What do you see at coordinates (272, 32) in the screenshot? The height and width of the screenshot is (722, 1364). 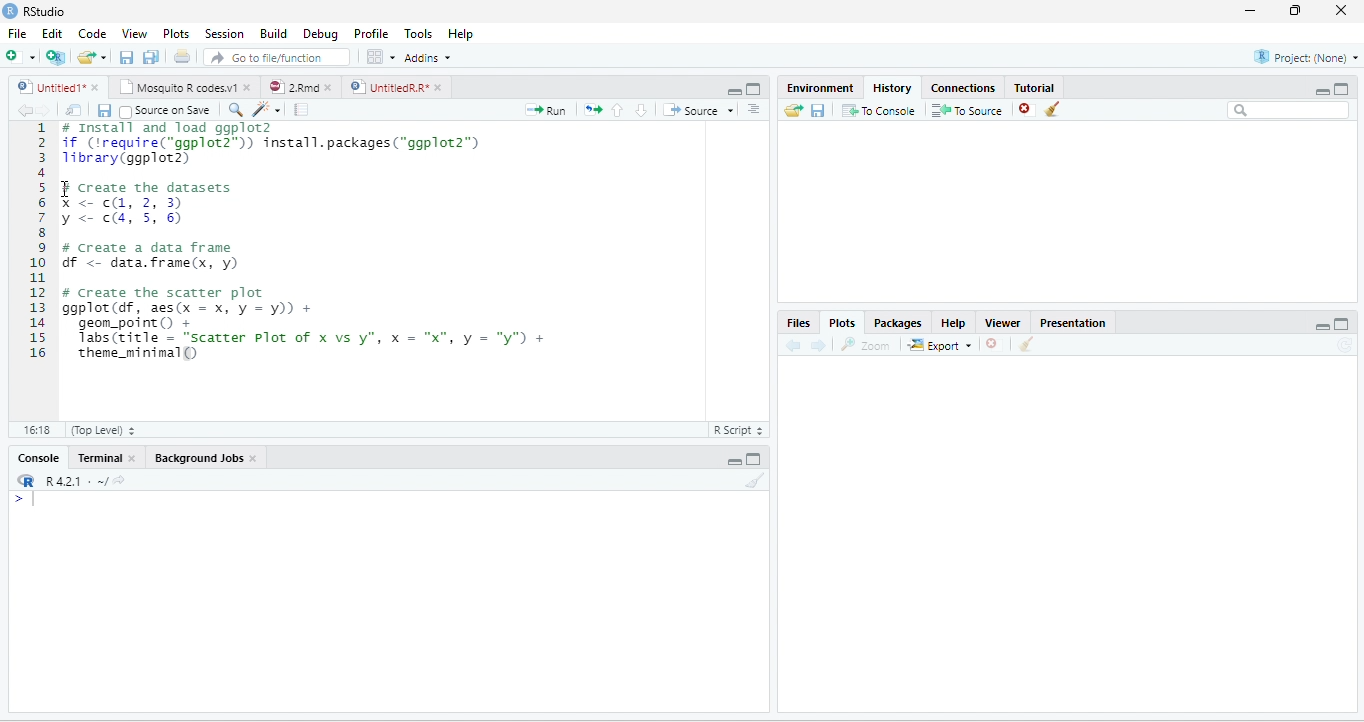 I see `Build` at bounding box center [272, 32].